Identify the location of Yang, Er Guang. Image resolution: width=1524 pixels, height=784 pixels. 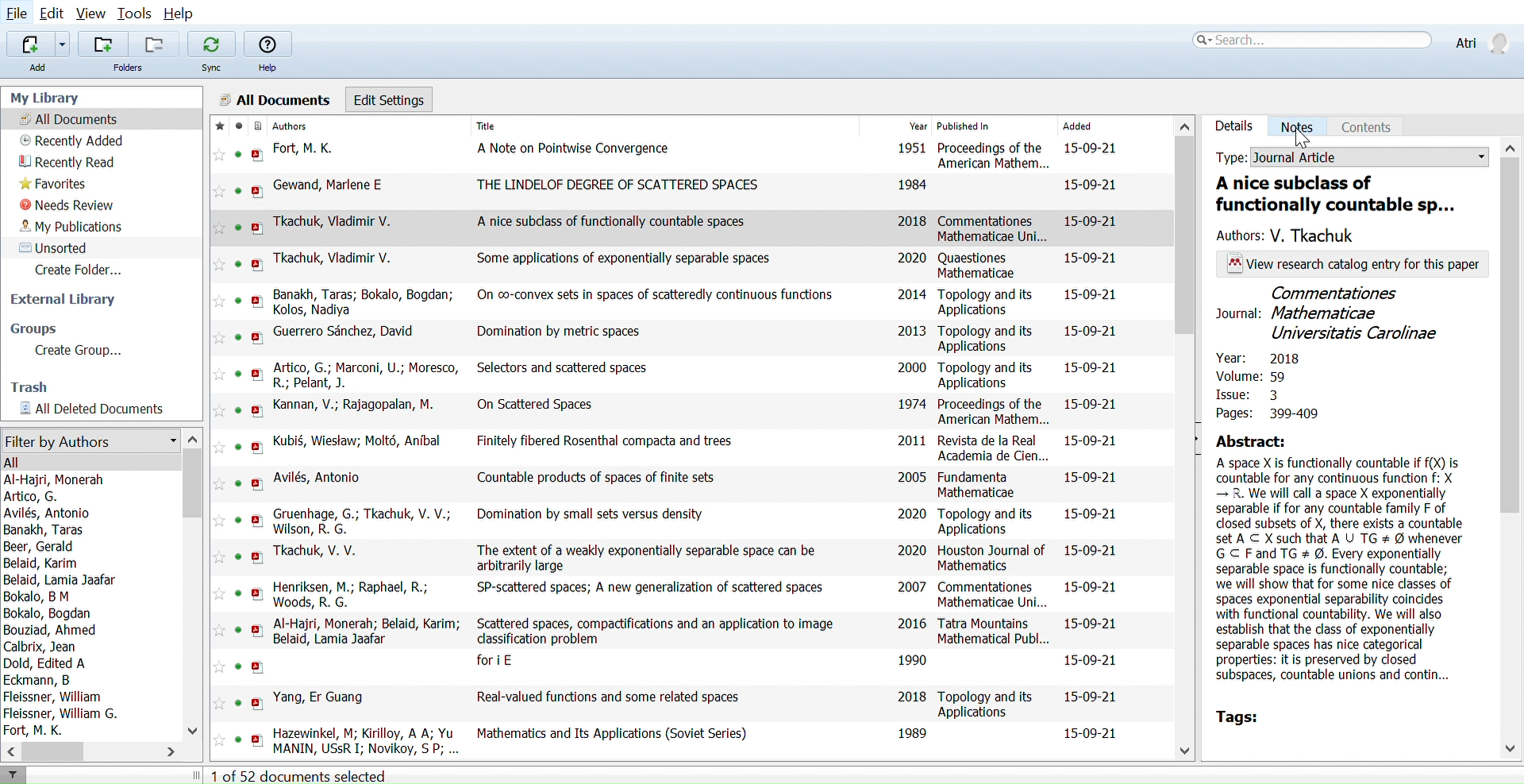
(321, 698).